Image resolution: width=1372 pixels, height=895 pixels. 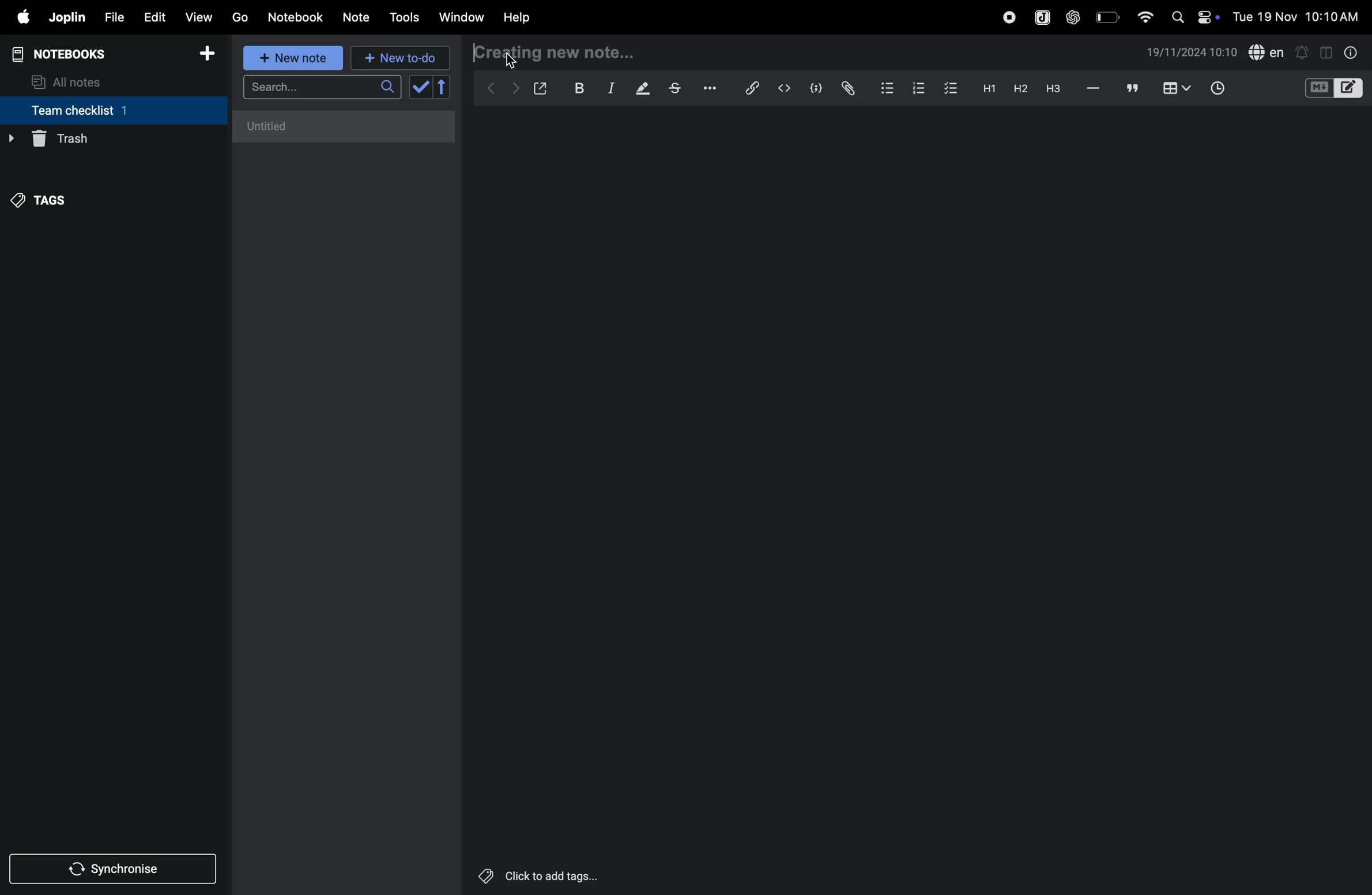 I want to click on note, so click(x=361, y=16).